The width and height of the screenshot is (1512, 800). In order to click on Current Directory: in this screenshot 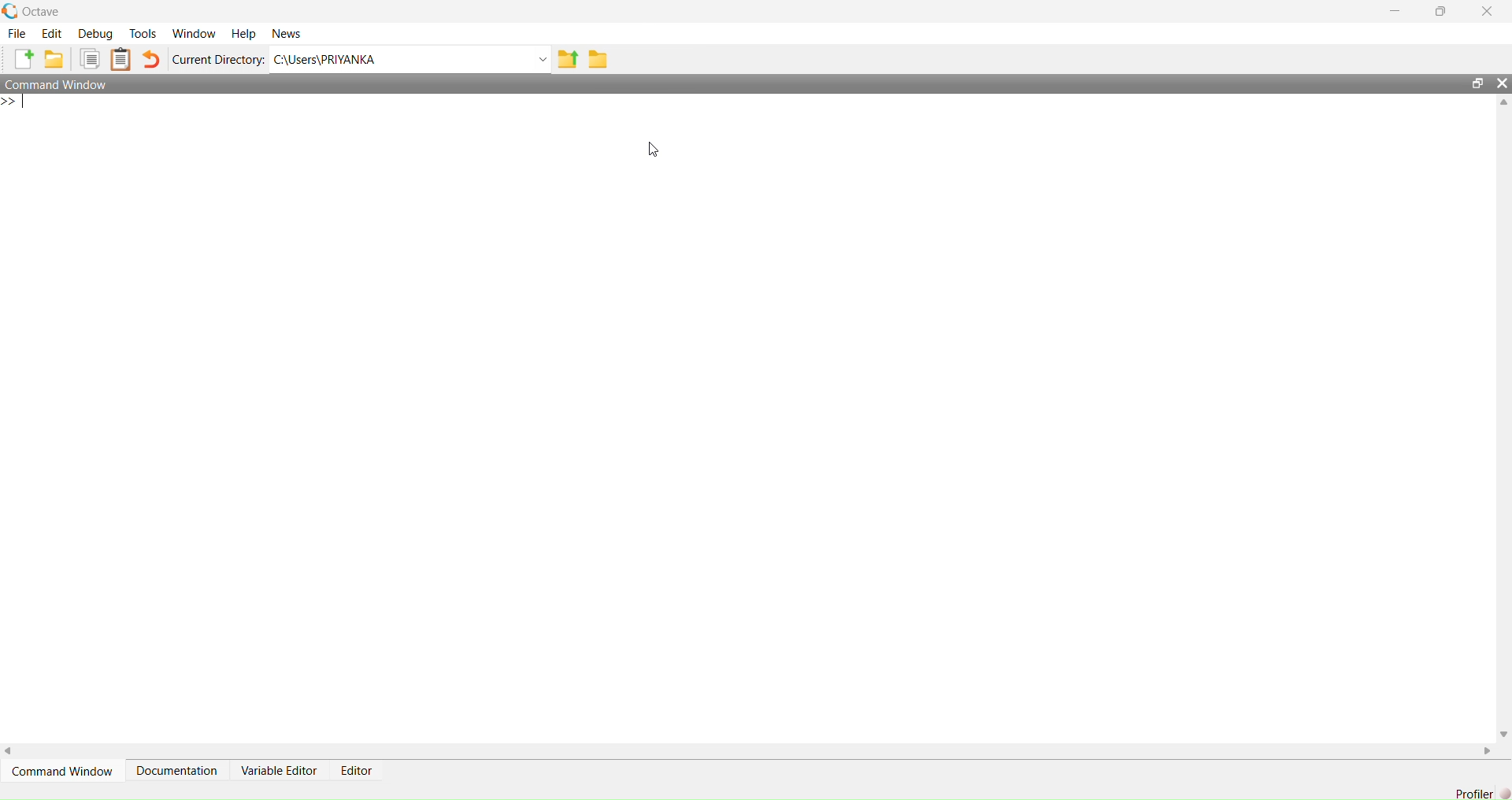, I will do `click(218, 59)`.